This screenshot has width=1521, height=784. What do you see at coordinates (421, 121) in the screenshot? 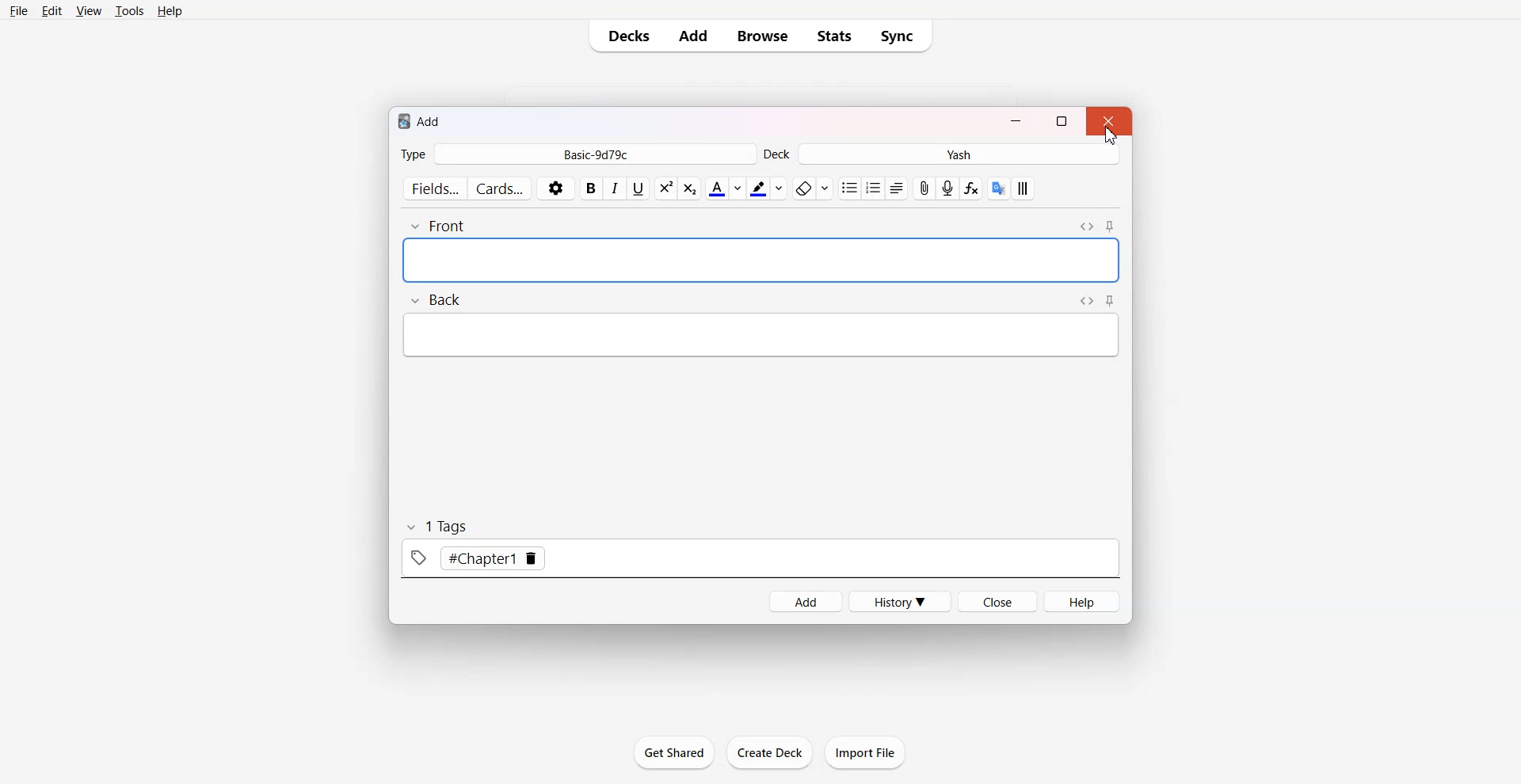
I see `add` at bounding box center [421, 121].